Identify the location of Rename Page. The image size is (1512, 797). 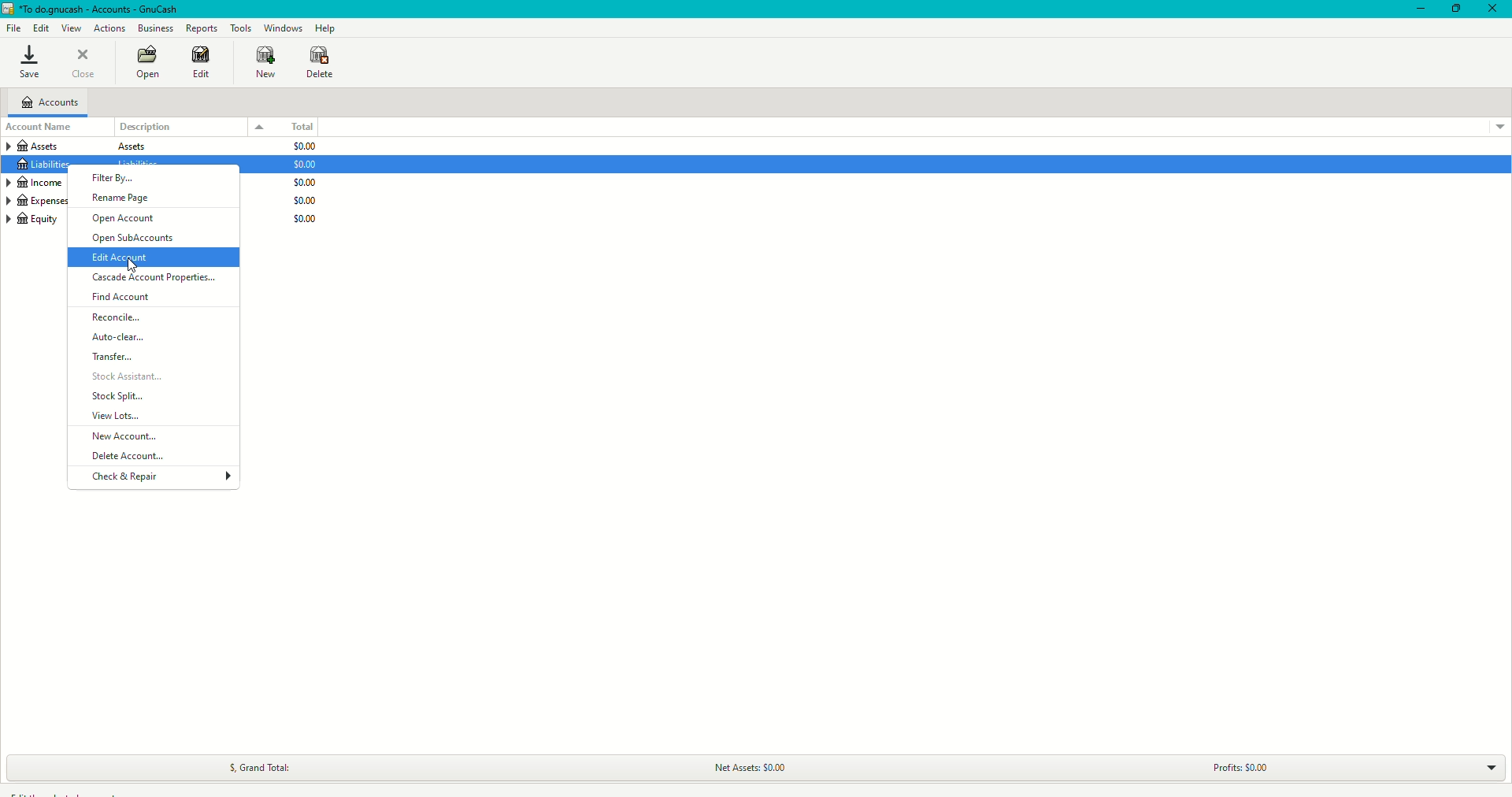
(120, 198).